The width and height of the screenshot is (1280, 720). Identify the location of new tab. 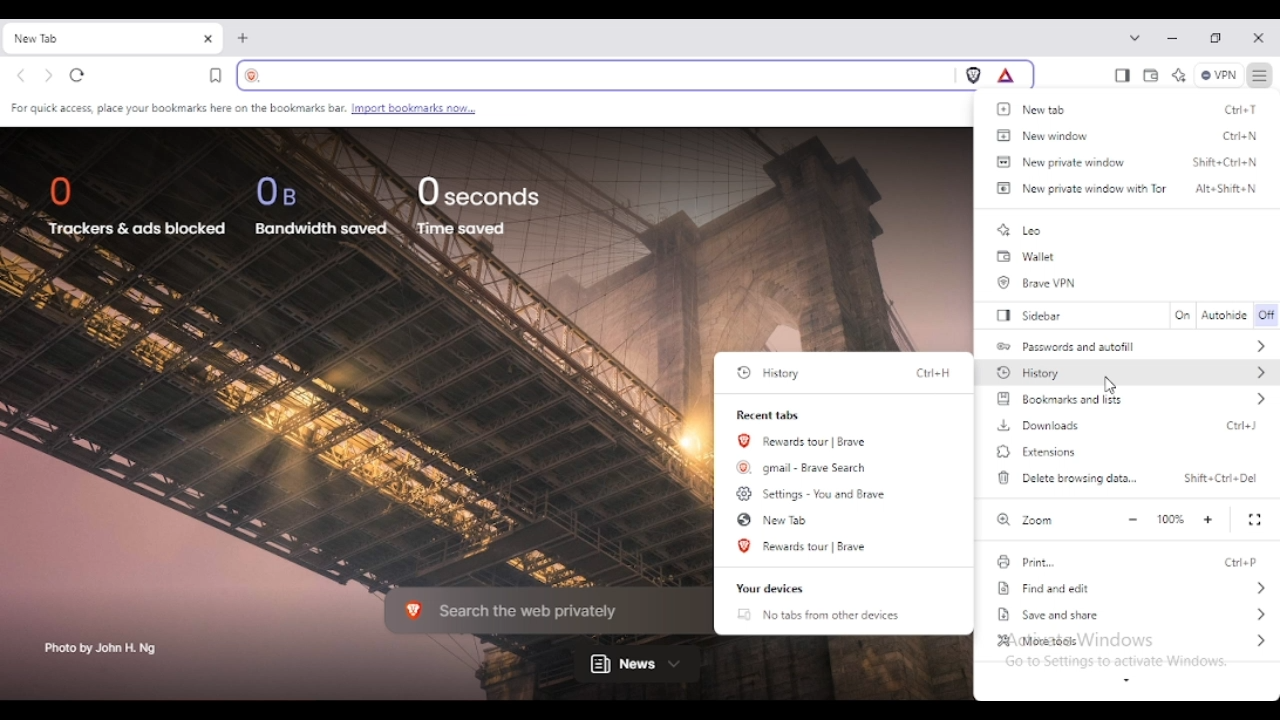
(773, 519).